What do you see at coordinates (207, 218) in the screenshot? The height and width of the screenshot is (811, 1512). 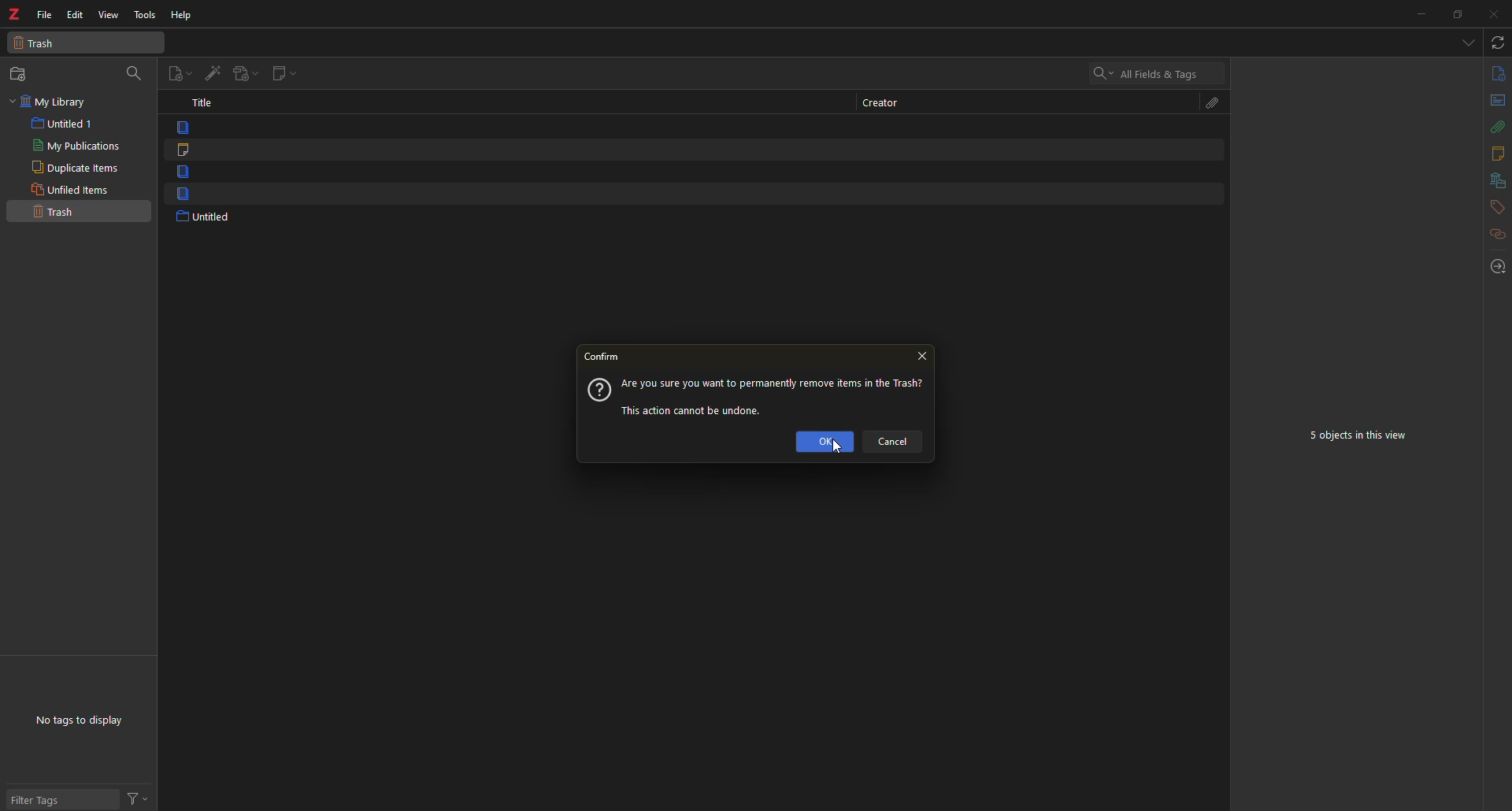 I see `untitled` at bounding box center [207, 218].